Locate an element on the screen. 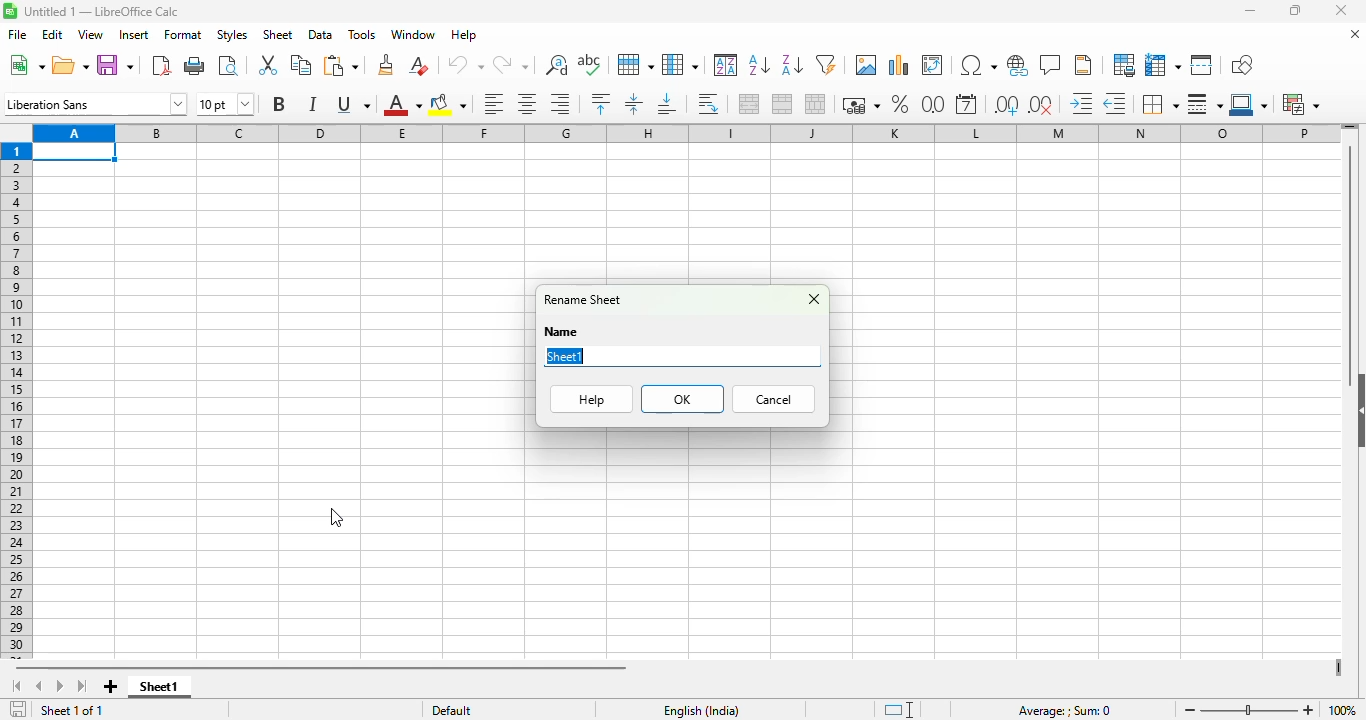  Typing is located at coordinates (583, 356).